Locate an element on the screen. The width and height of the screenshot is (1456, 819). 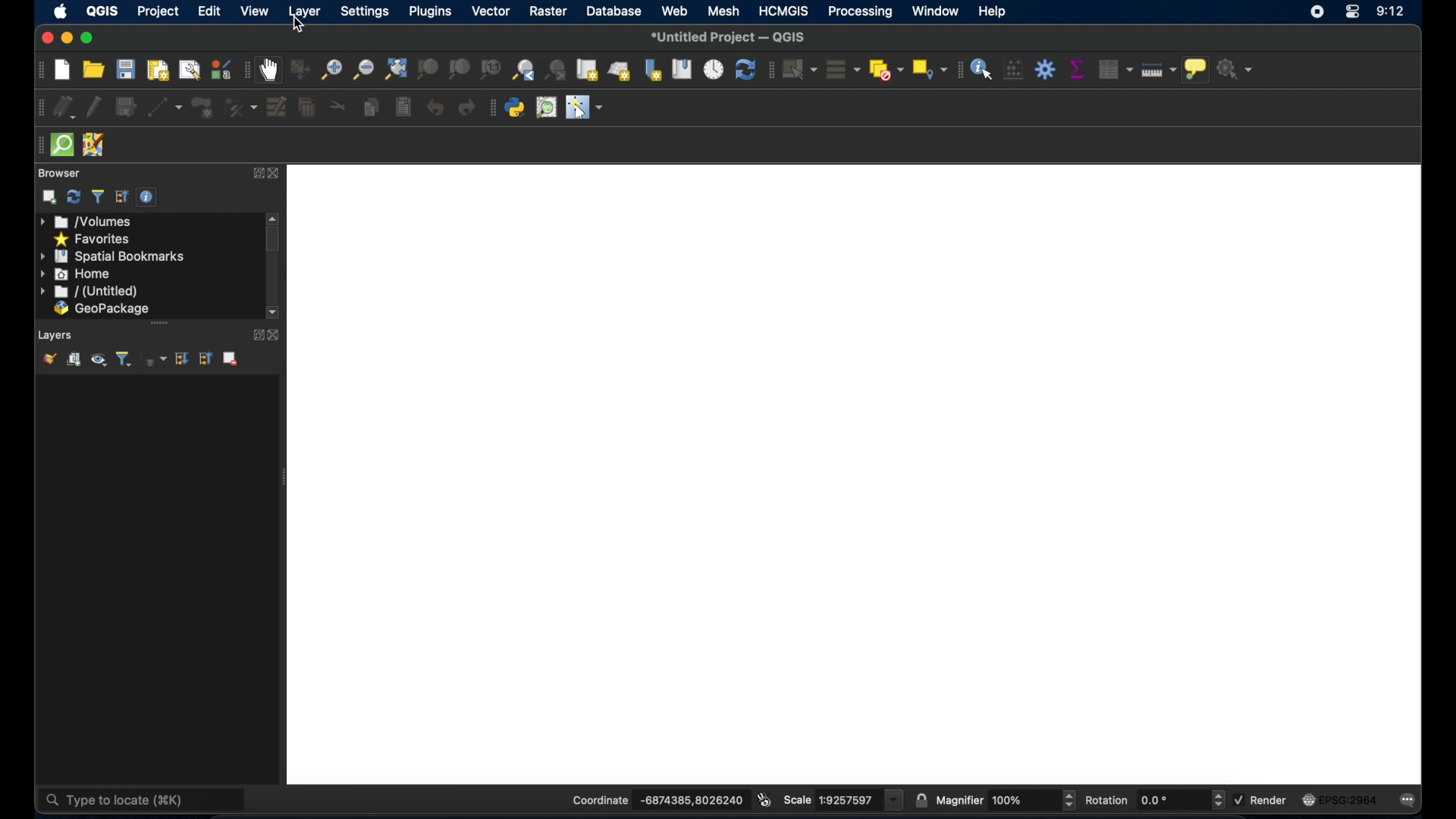
show statistical summary is located at coordinates (1076, 67).